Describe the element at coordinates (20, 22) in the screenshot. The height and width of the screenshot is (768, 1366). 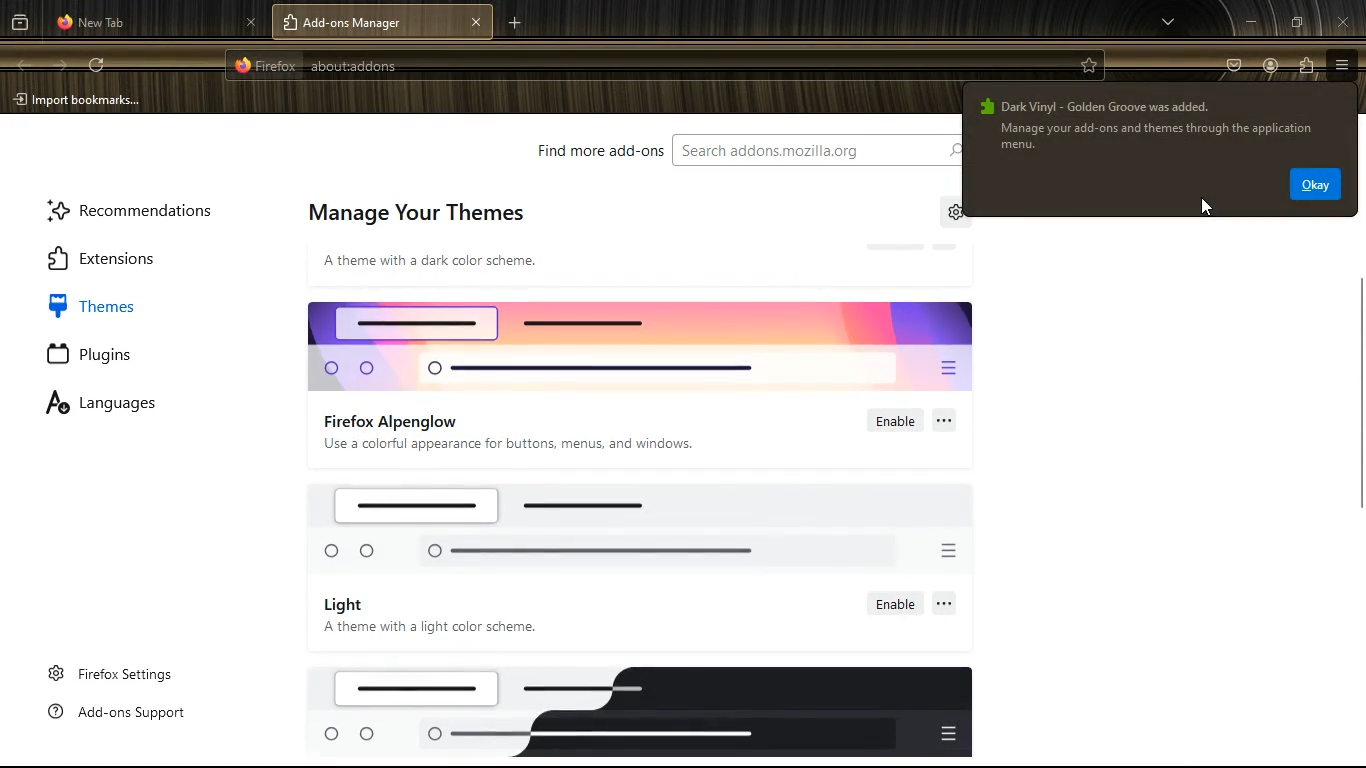
I see `history` at that location.